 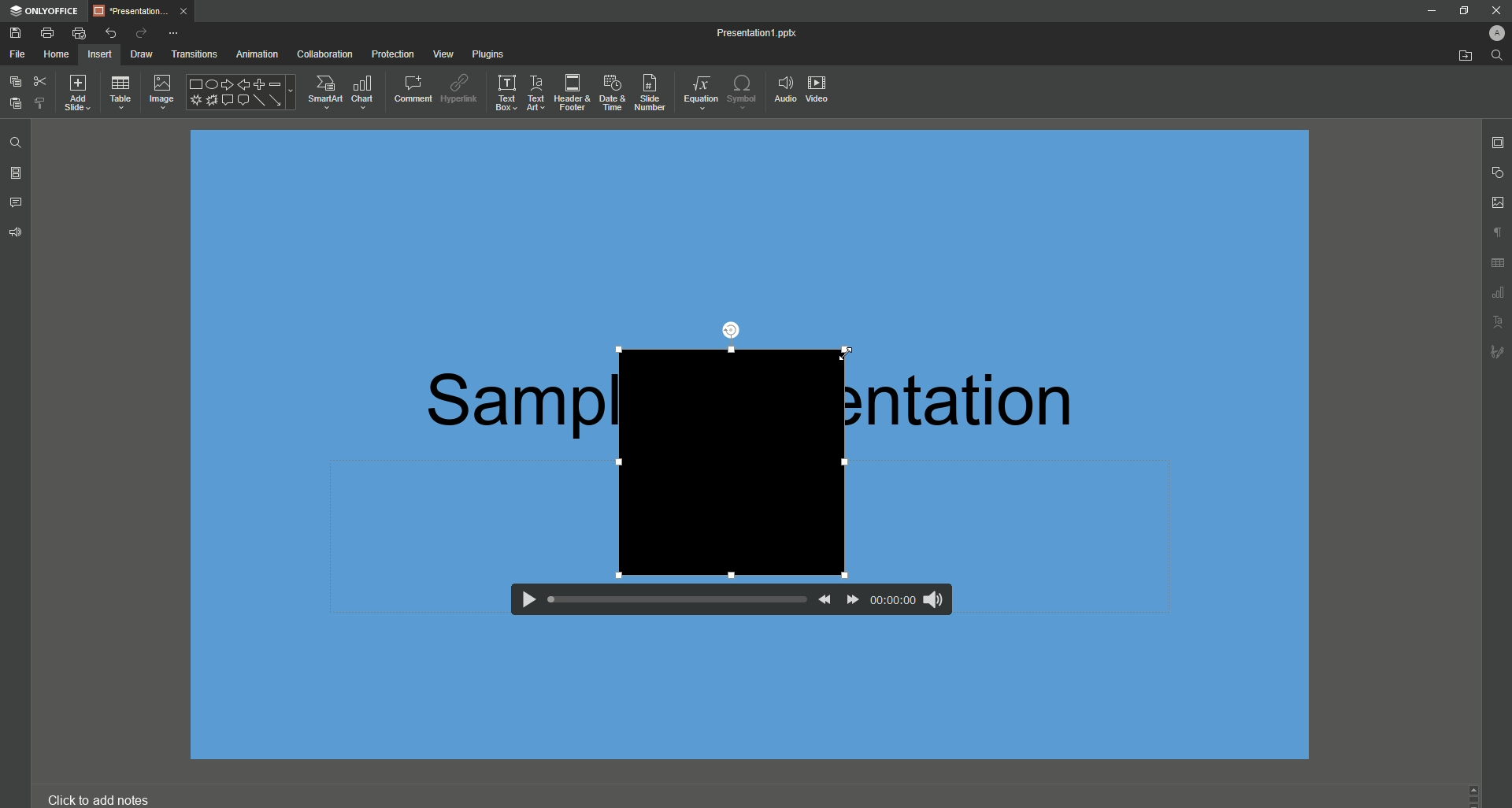 I want to click on Shape Settings, so click(x=1499, y=173).